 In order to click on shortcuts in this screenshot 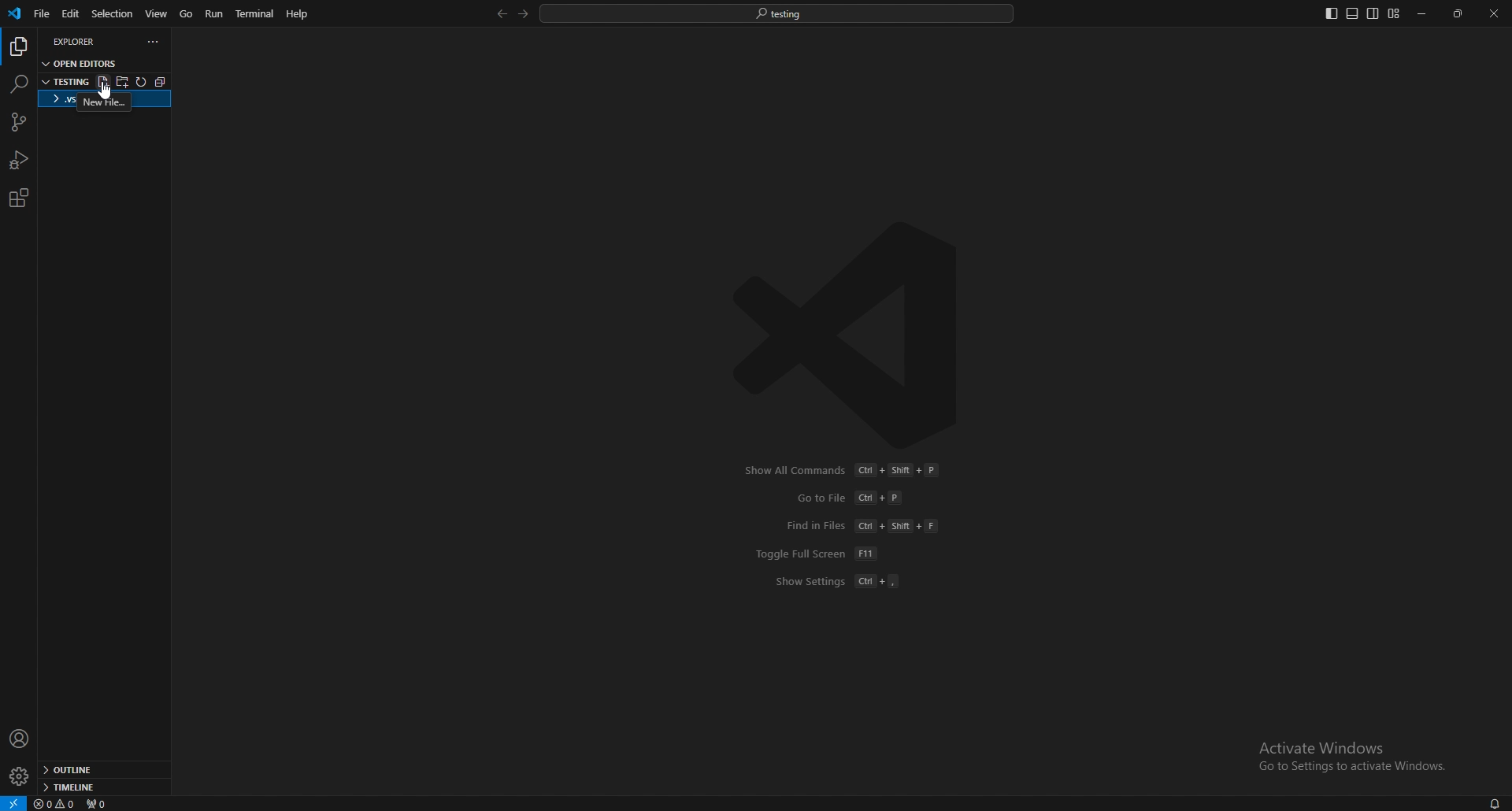, I will do `click(849, 526)`.